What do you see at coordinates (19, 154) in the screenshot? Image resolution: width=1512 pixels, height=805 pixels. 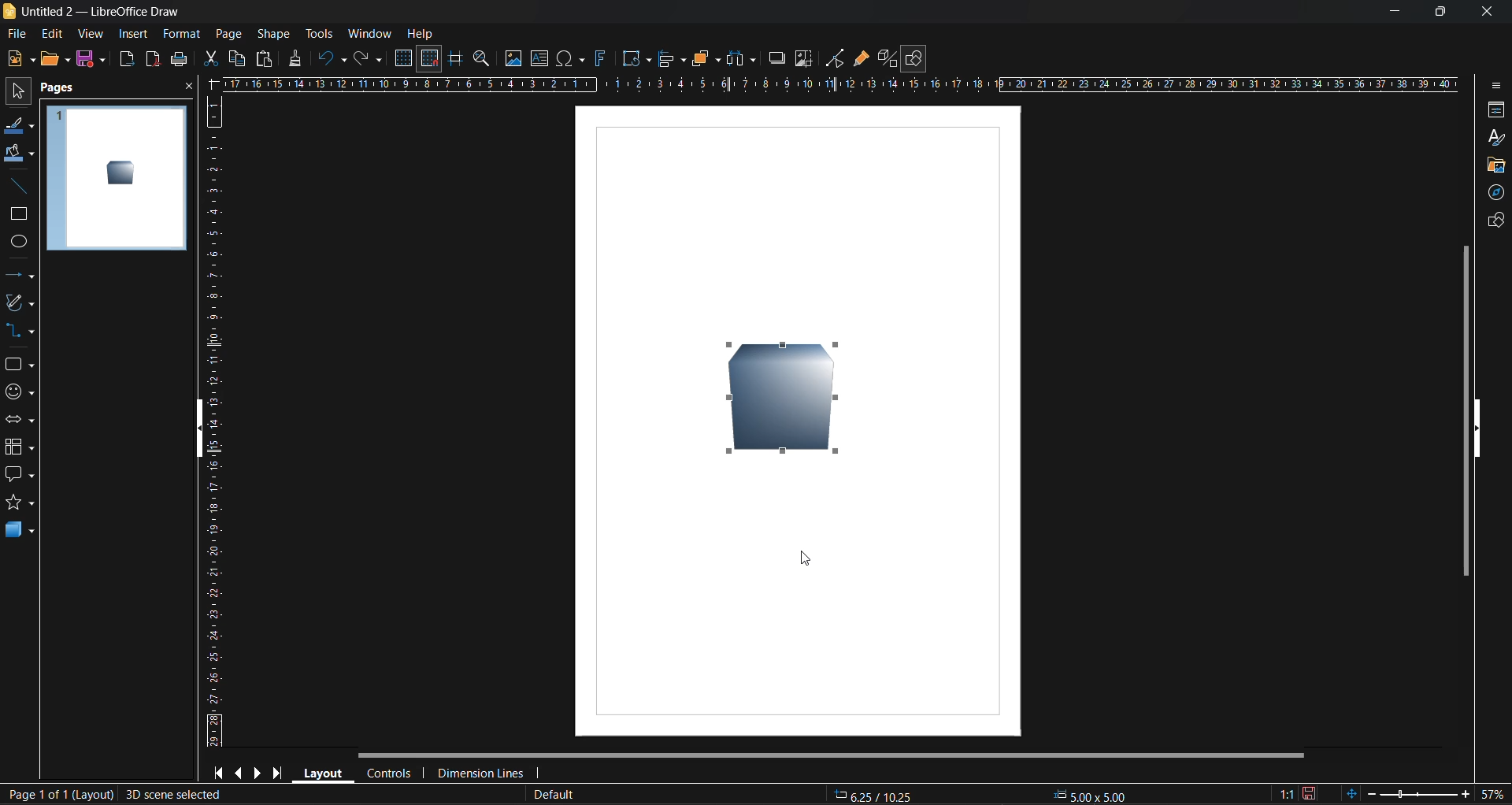 I see `fill color` at bounding box center [19, 154].